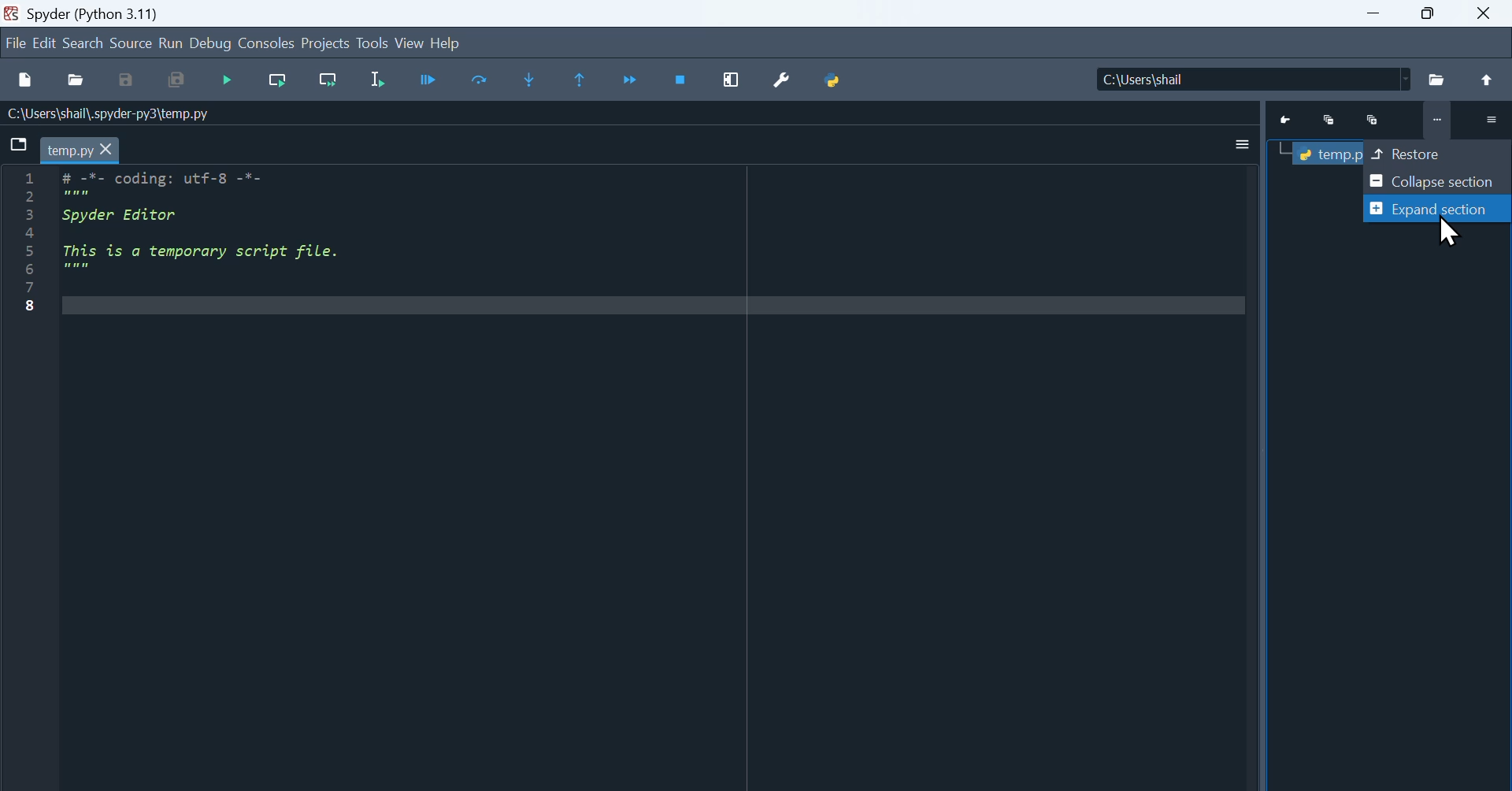 The image size is (1512, 791). Describe the element at coordinates (171, 44) in the screenshot. I see `run` at that location.